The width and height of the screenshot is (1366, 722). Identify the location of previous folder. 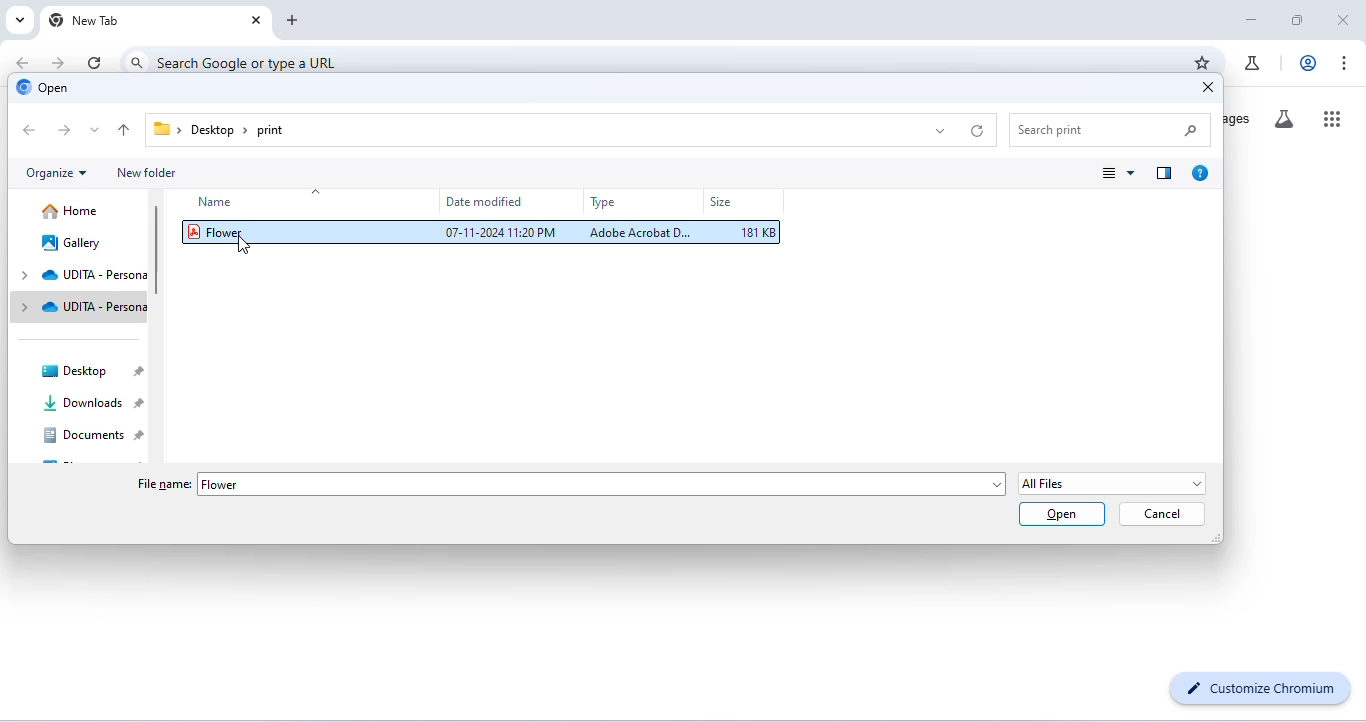
(30, 129).